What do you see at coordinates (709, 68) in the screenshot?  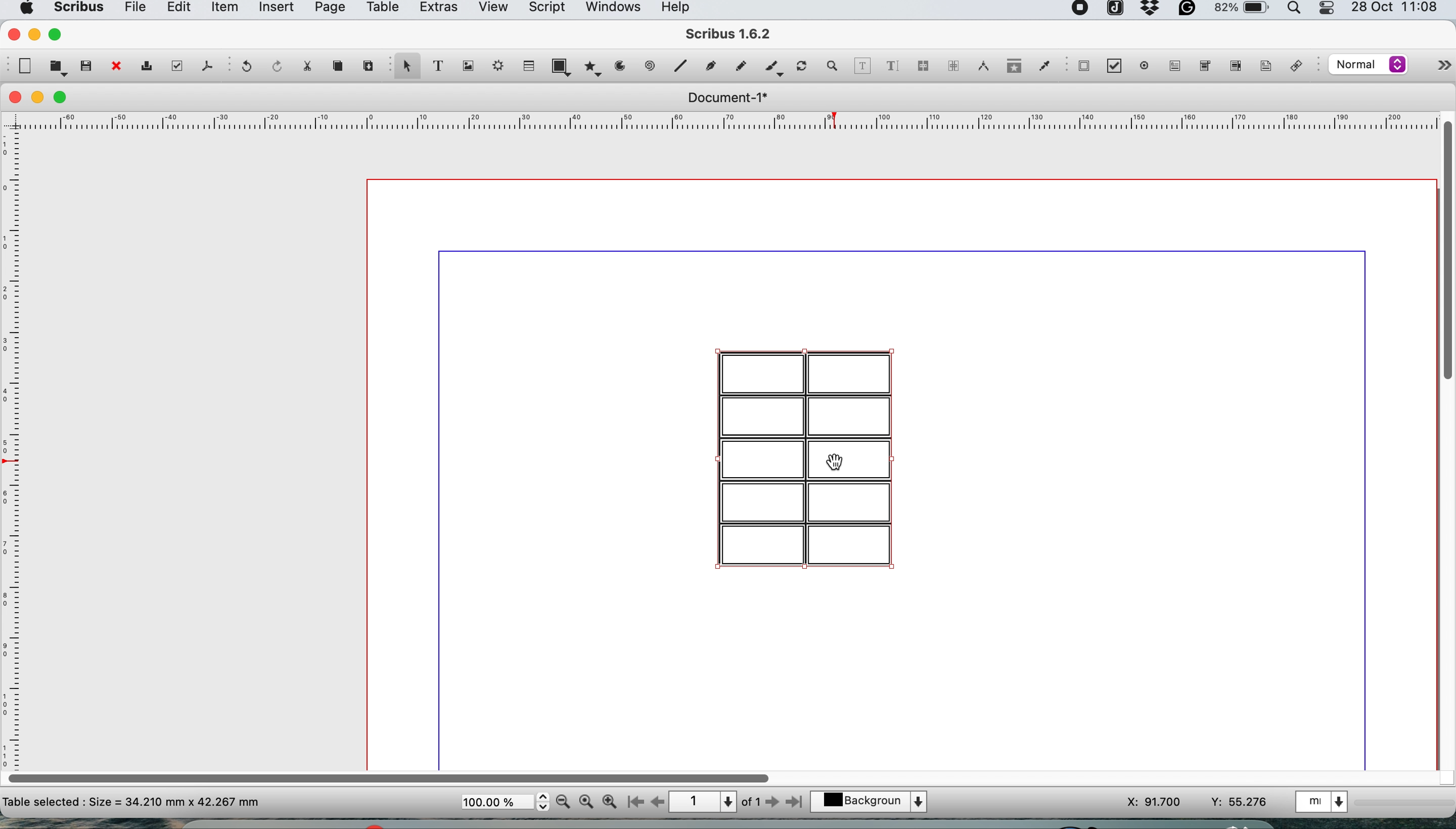 I see `bezier curve` at bounding box center [709, 68].